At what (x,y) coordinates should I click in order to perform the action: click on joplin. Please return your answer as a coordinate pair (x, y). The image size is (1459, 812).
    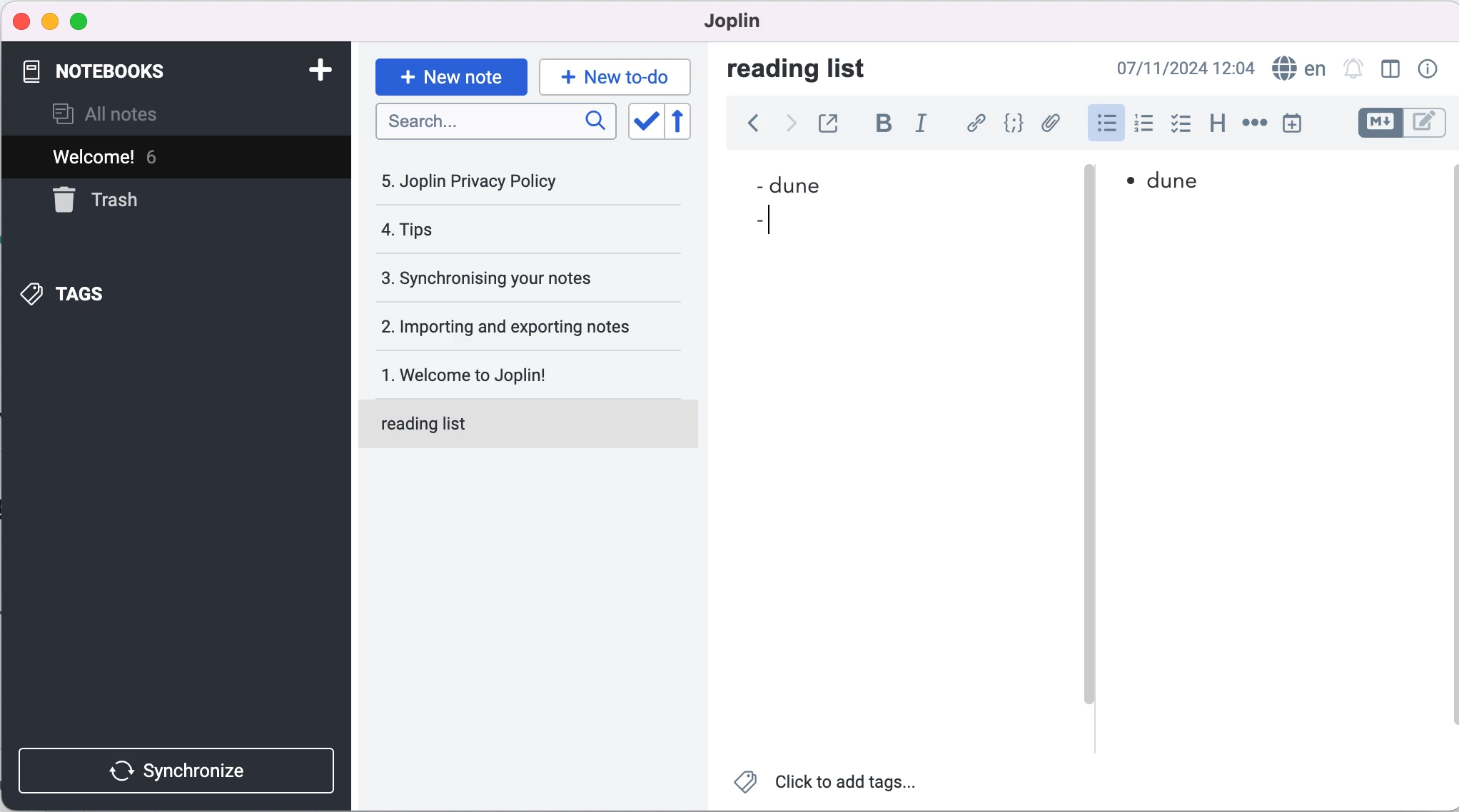
    Looking at the image, I should click on (757, 23).